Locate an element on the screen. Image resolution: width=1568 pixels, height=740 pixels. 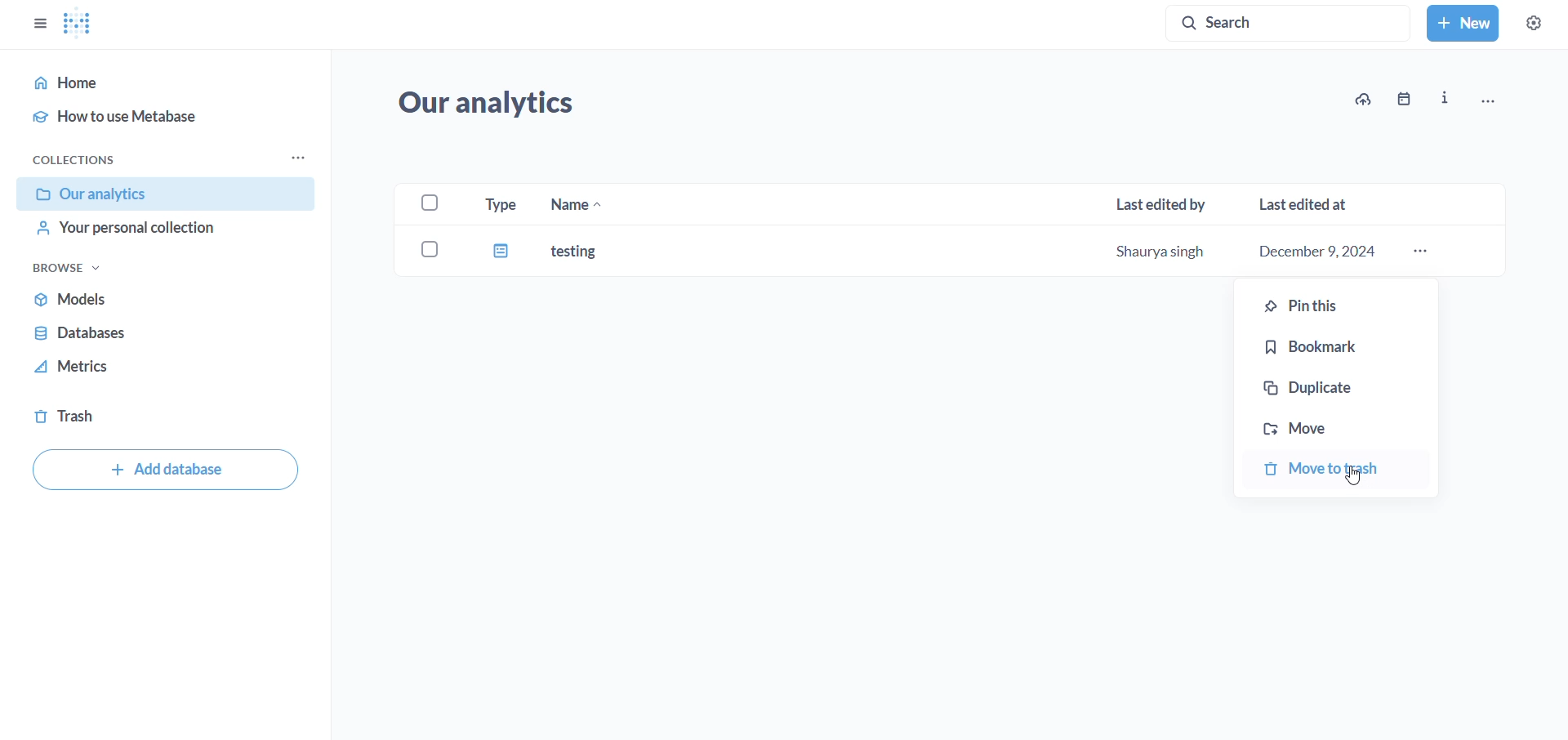
your personal collection is located at coordinates (154, 236).